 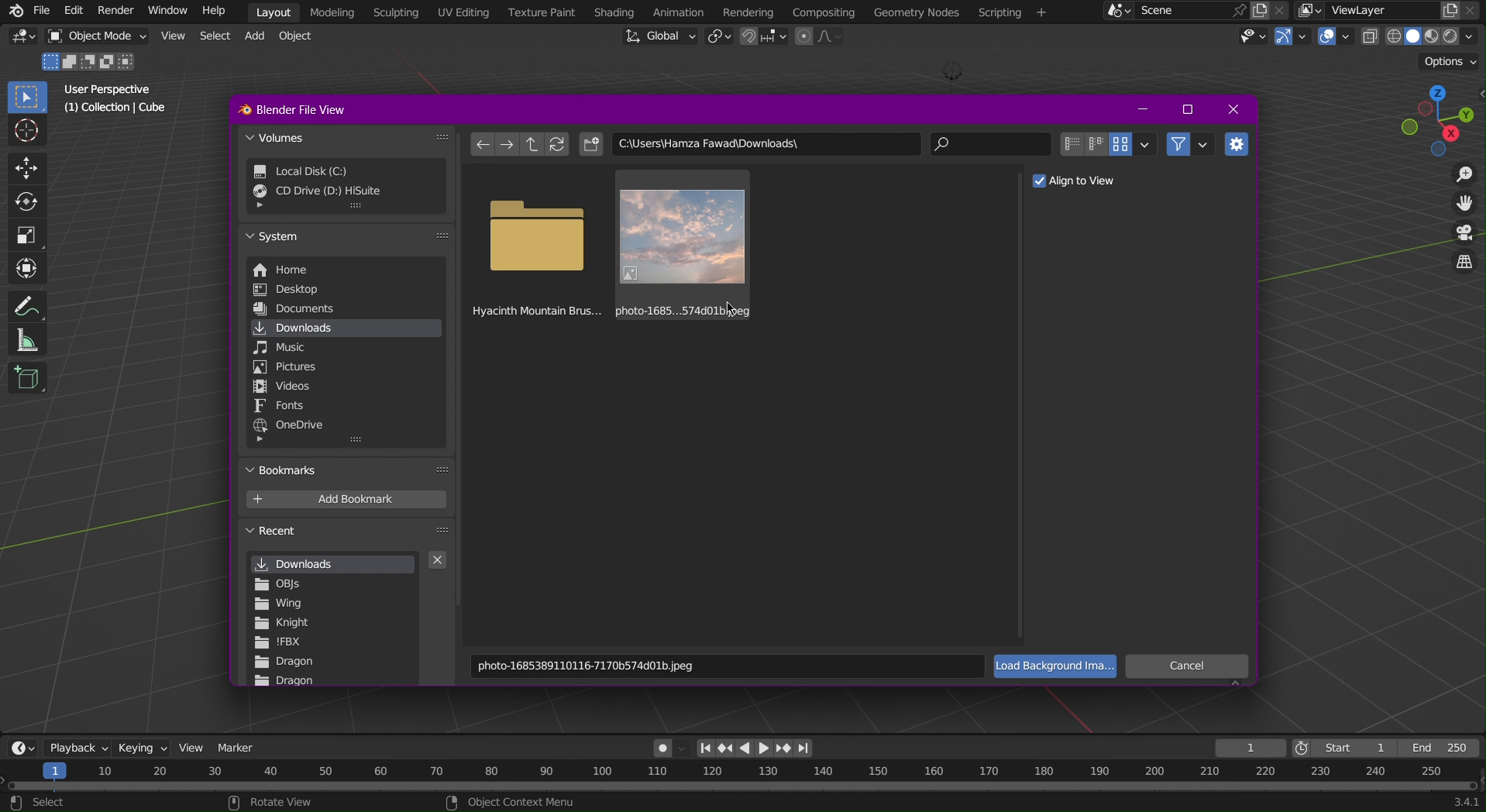 What do you see at coordinates (170, 38) in the screenshot?
I see `View` at bounding box center [170, 38].